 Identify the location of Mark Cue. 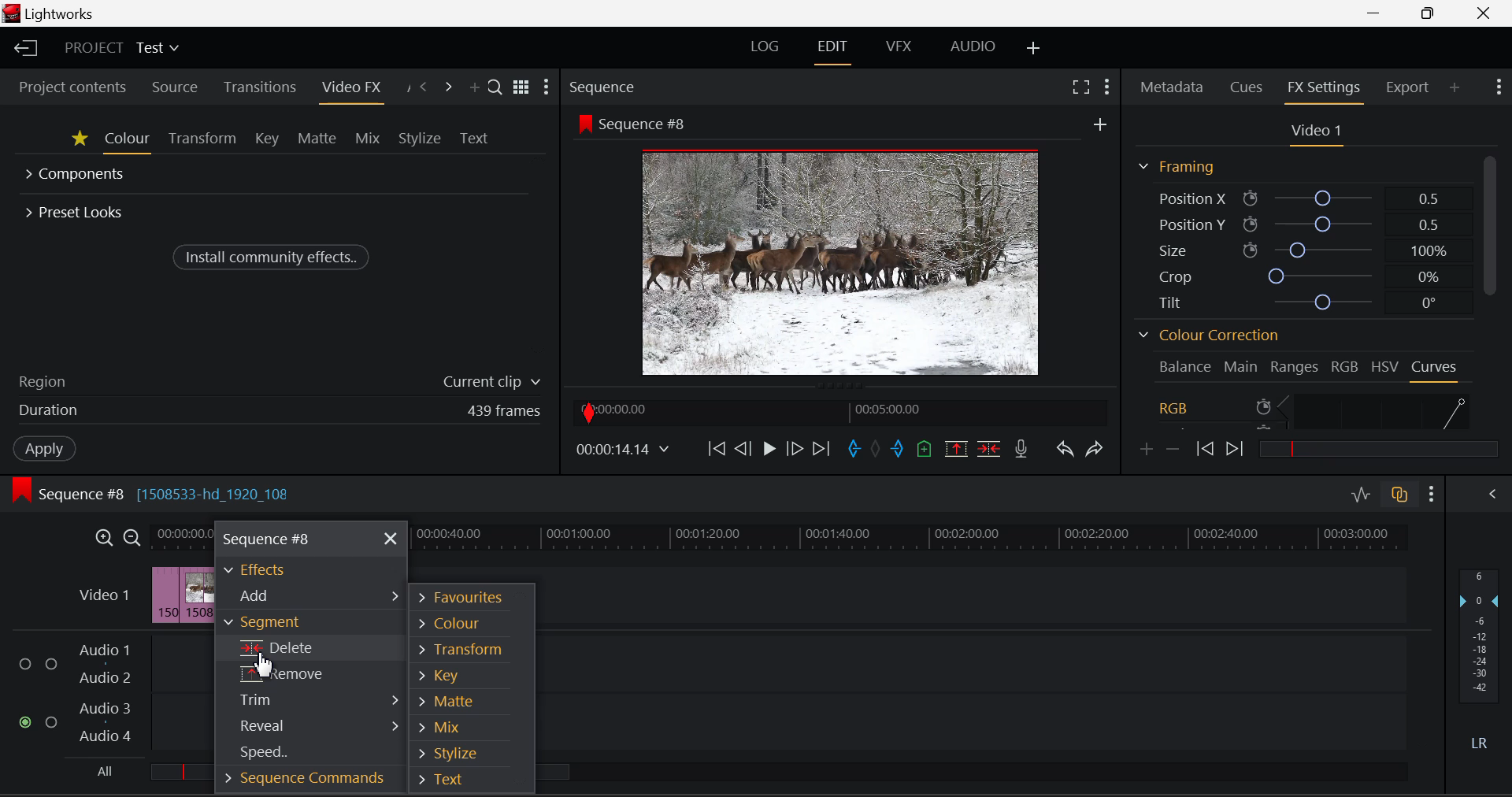
(922, 451).